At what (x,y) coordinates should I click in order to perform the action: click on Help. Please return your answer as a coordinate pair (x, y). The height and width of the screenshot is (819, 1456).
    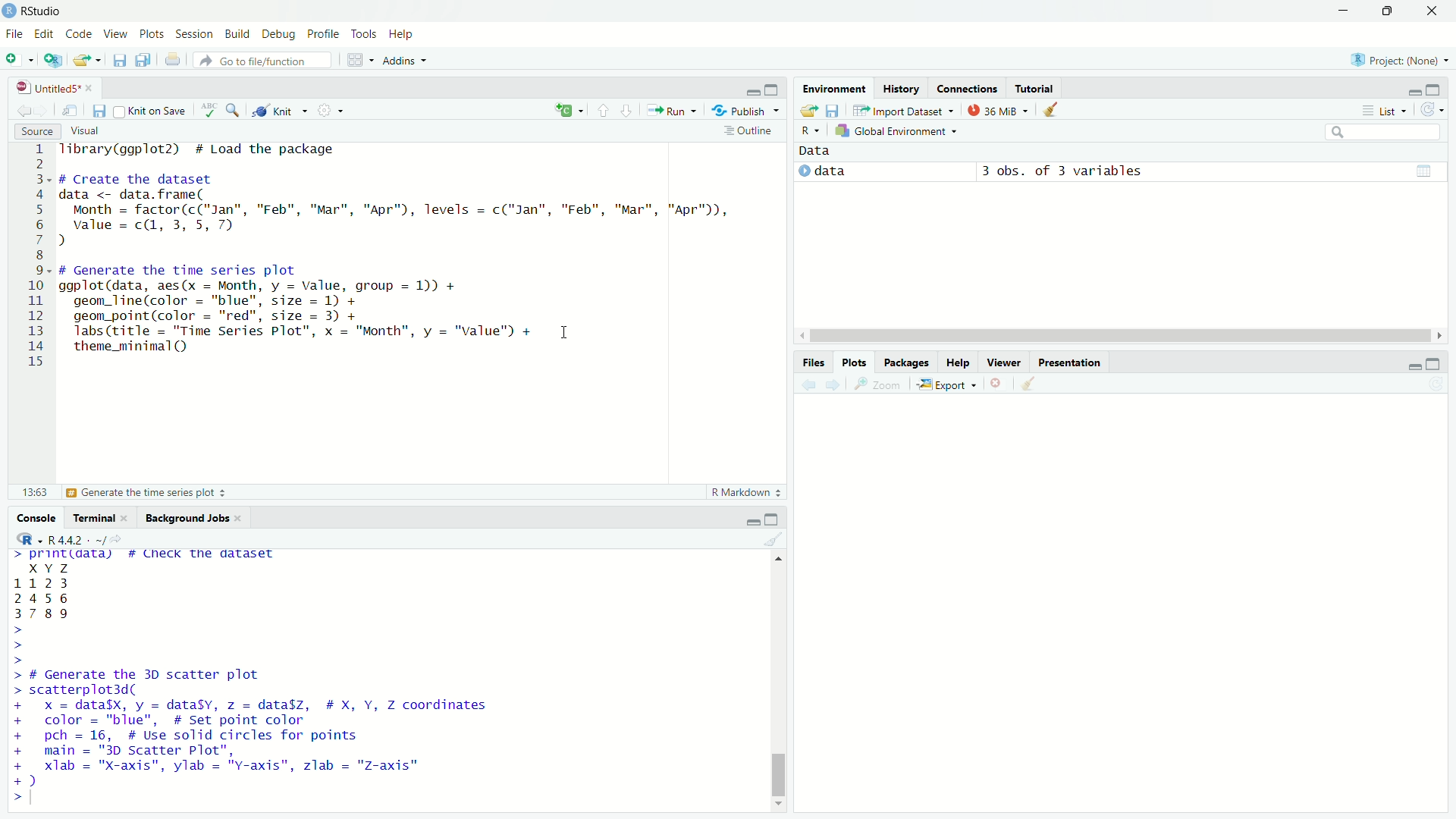
    Looking at the image, I should click on (401, 34).